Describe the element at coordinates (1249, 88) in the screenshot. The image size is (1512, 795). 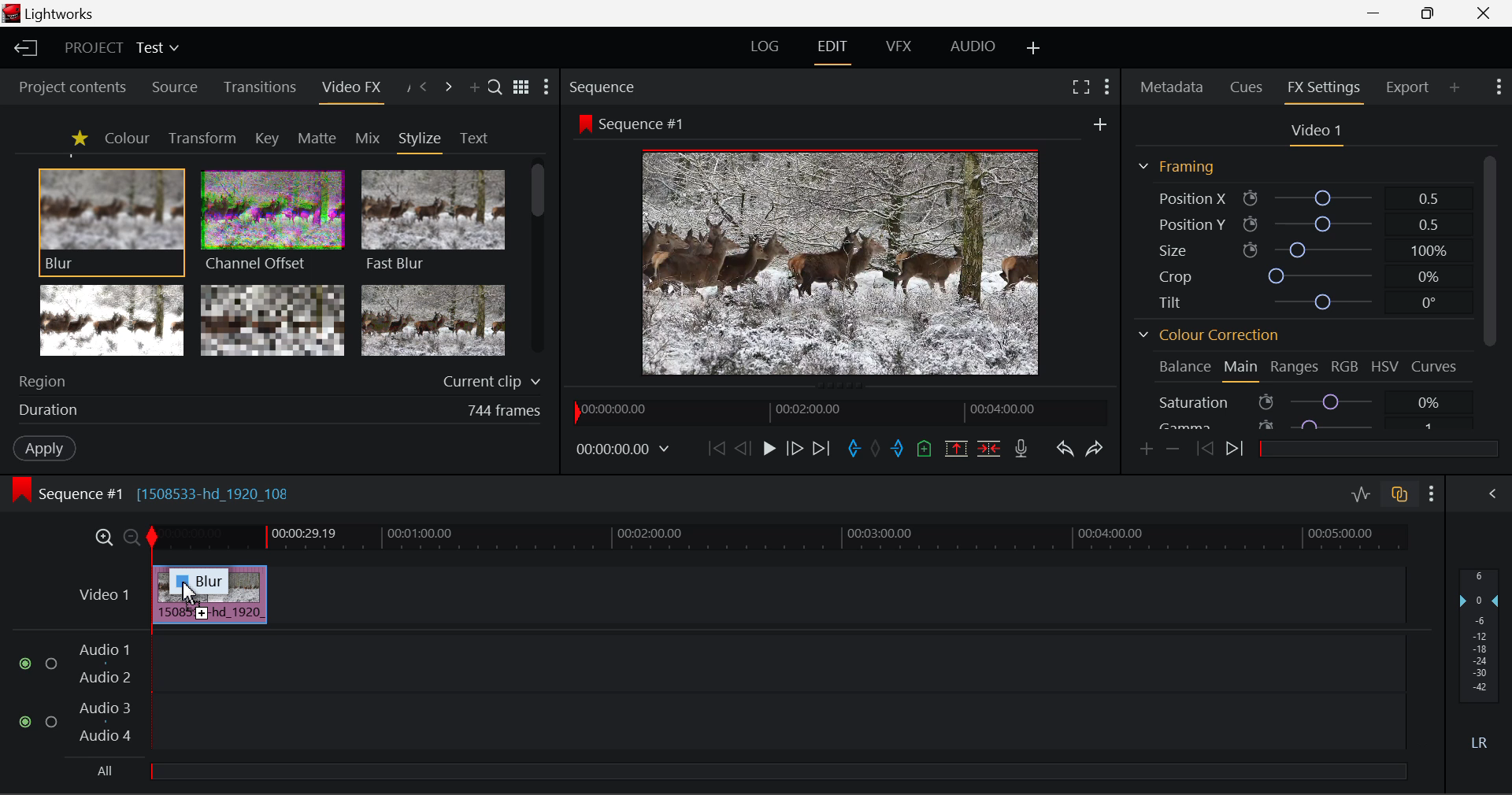
I see `Cues` at that location.